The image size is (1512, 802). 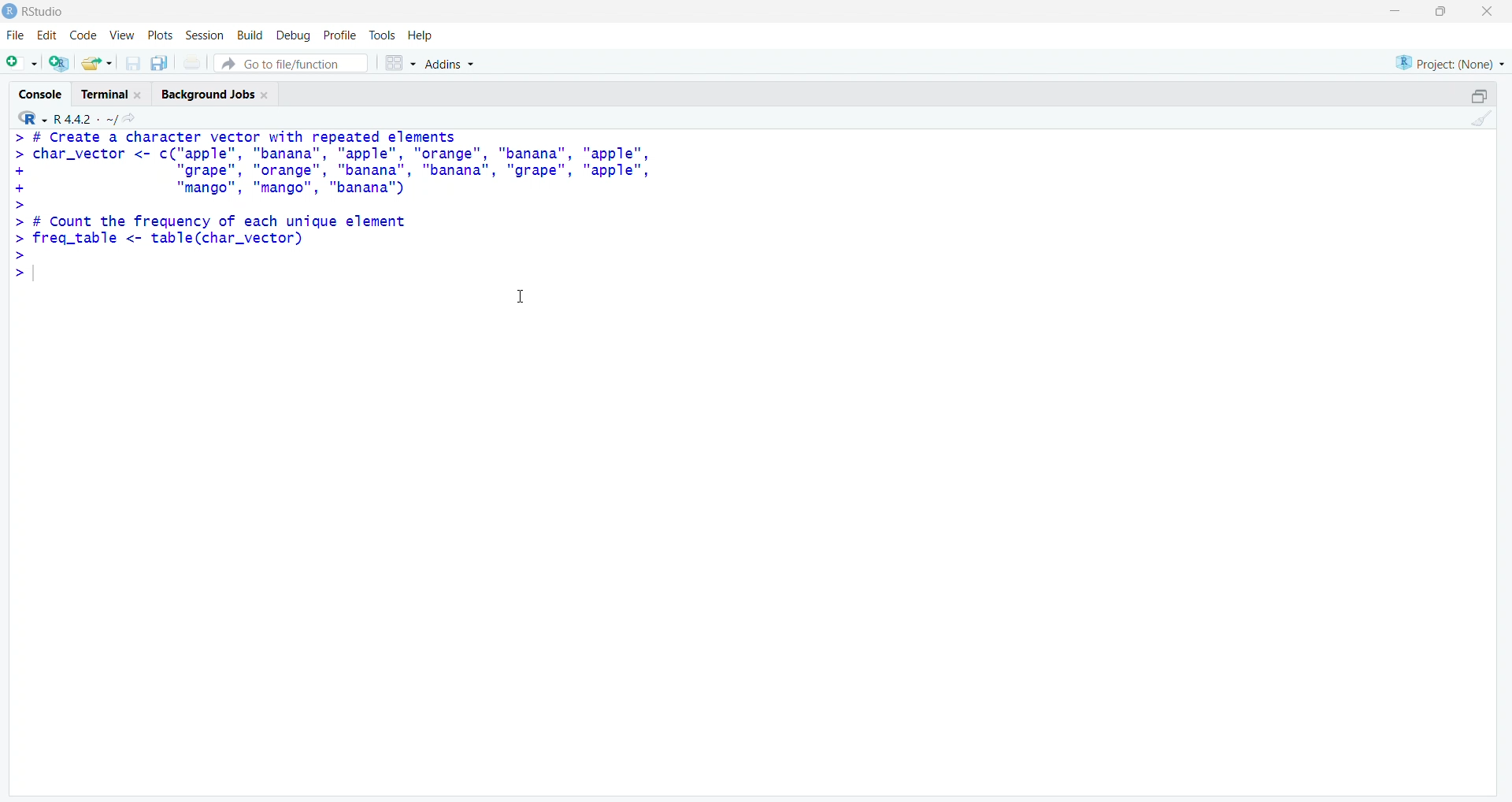 What do you see at coordinates (1480, 93) in the screenshot?
I see `Maximize` at bounding box center [1480, 93].